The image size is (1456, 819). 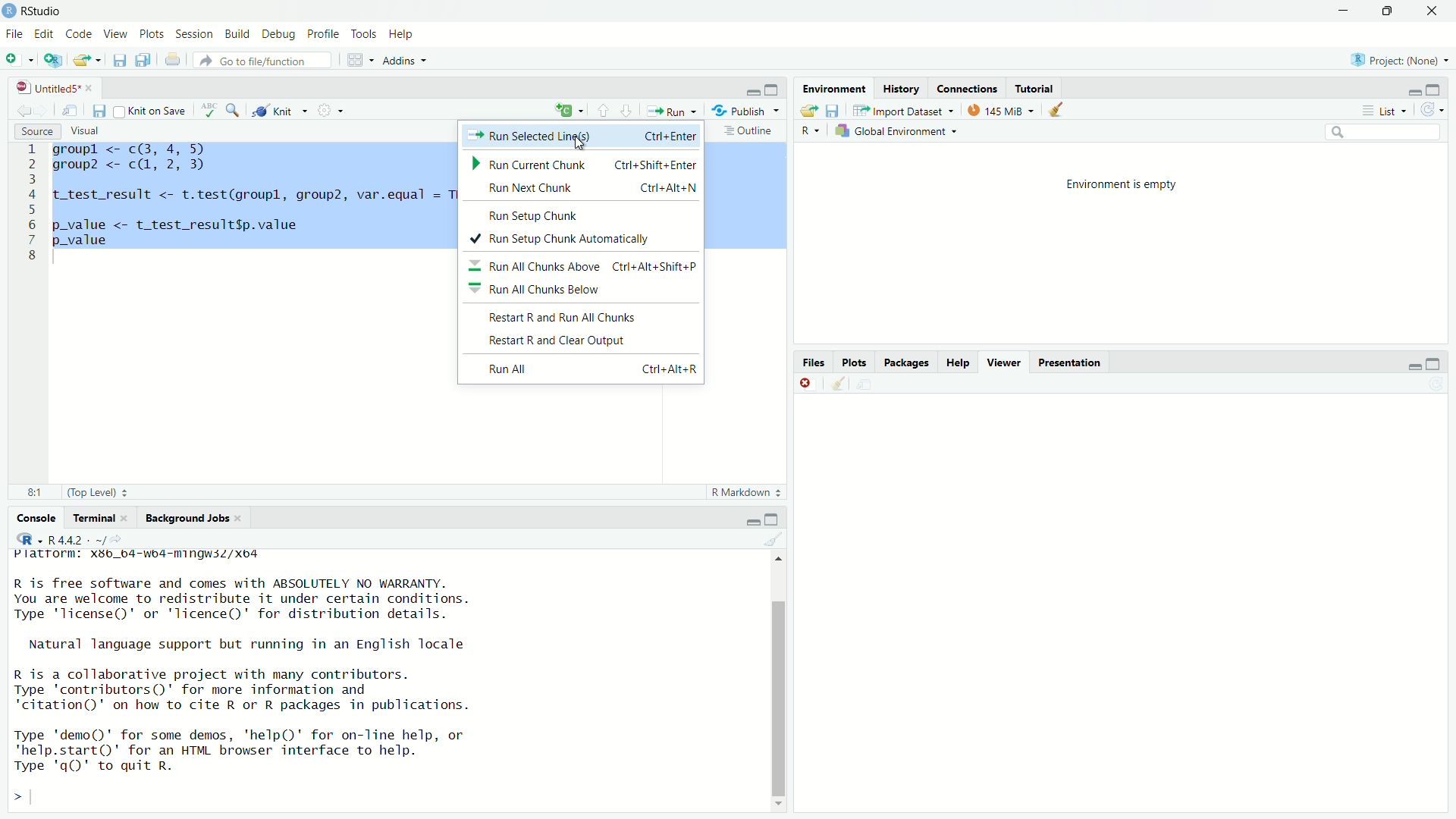 I want to click on ~ Run All Chunks Above  Ctrl+Alt+Shift+P, so click(x=585, y=268).